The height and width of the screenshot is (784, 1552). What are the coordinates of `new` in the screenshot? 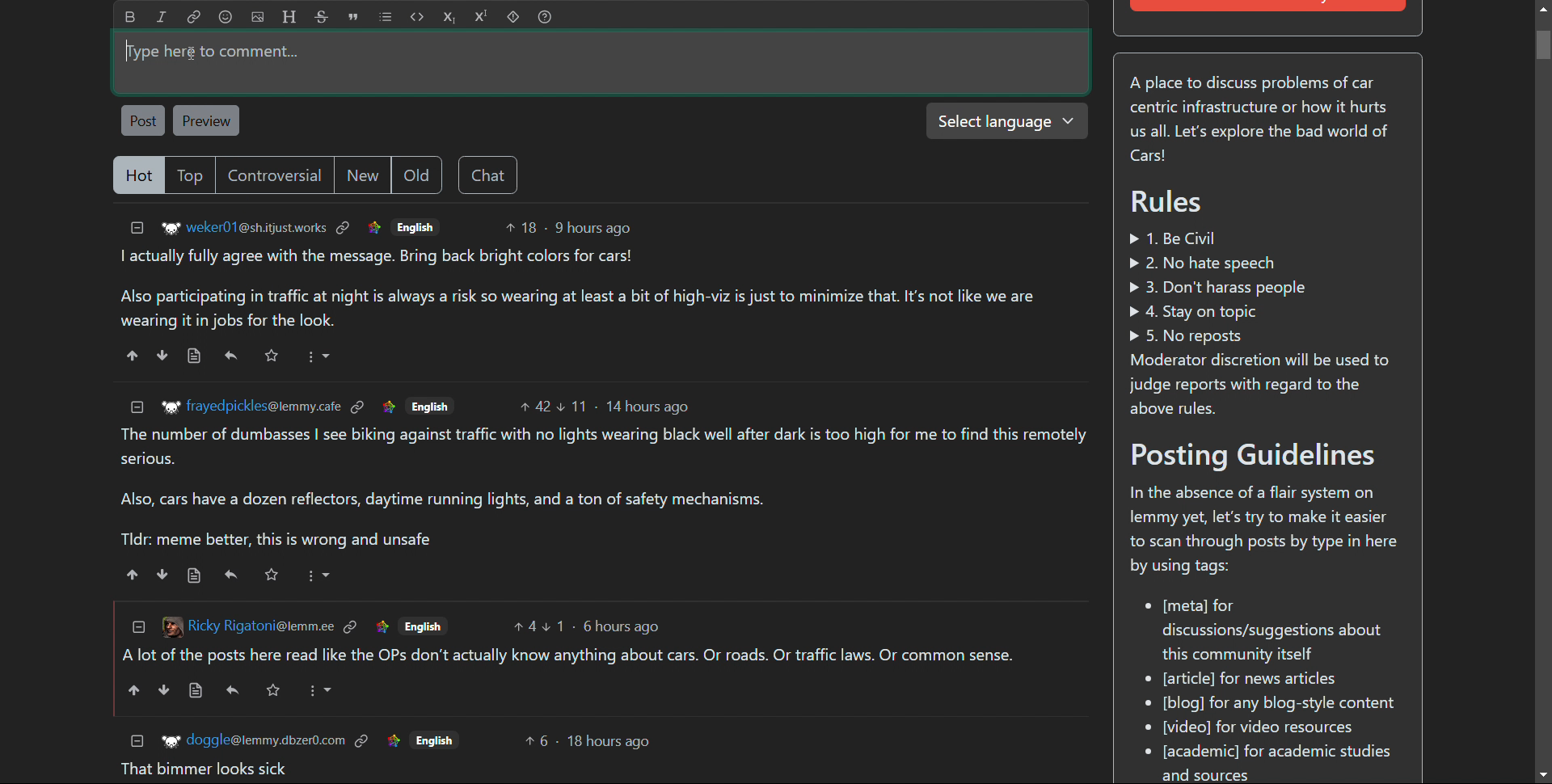 It's located at (361, 174).